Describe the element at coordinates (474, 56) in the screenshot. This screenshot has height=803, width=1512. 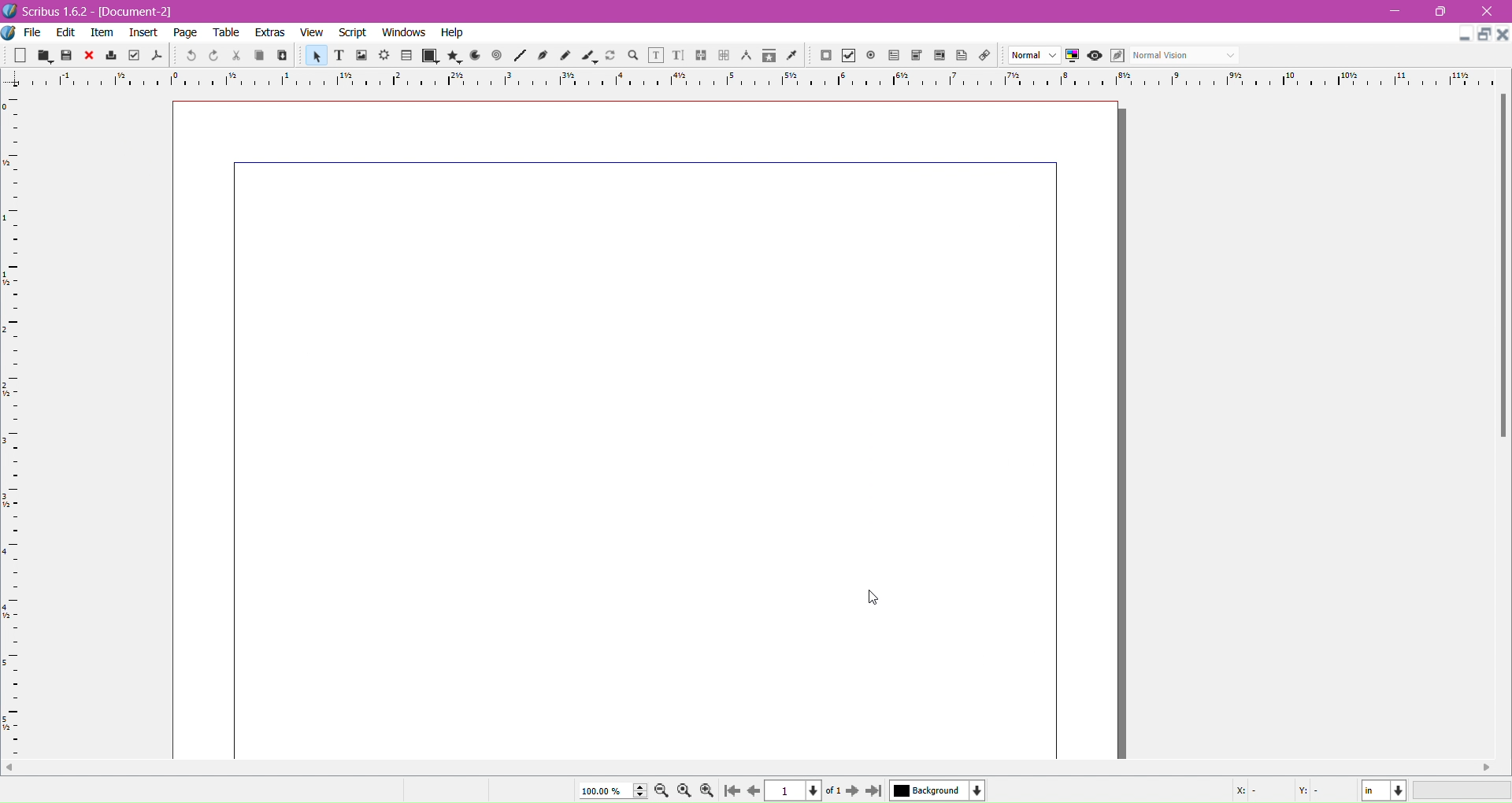
I see `icon` at that location.